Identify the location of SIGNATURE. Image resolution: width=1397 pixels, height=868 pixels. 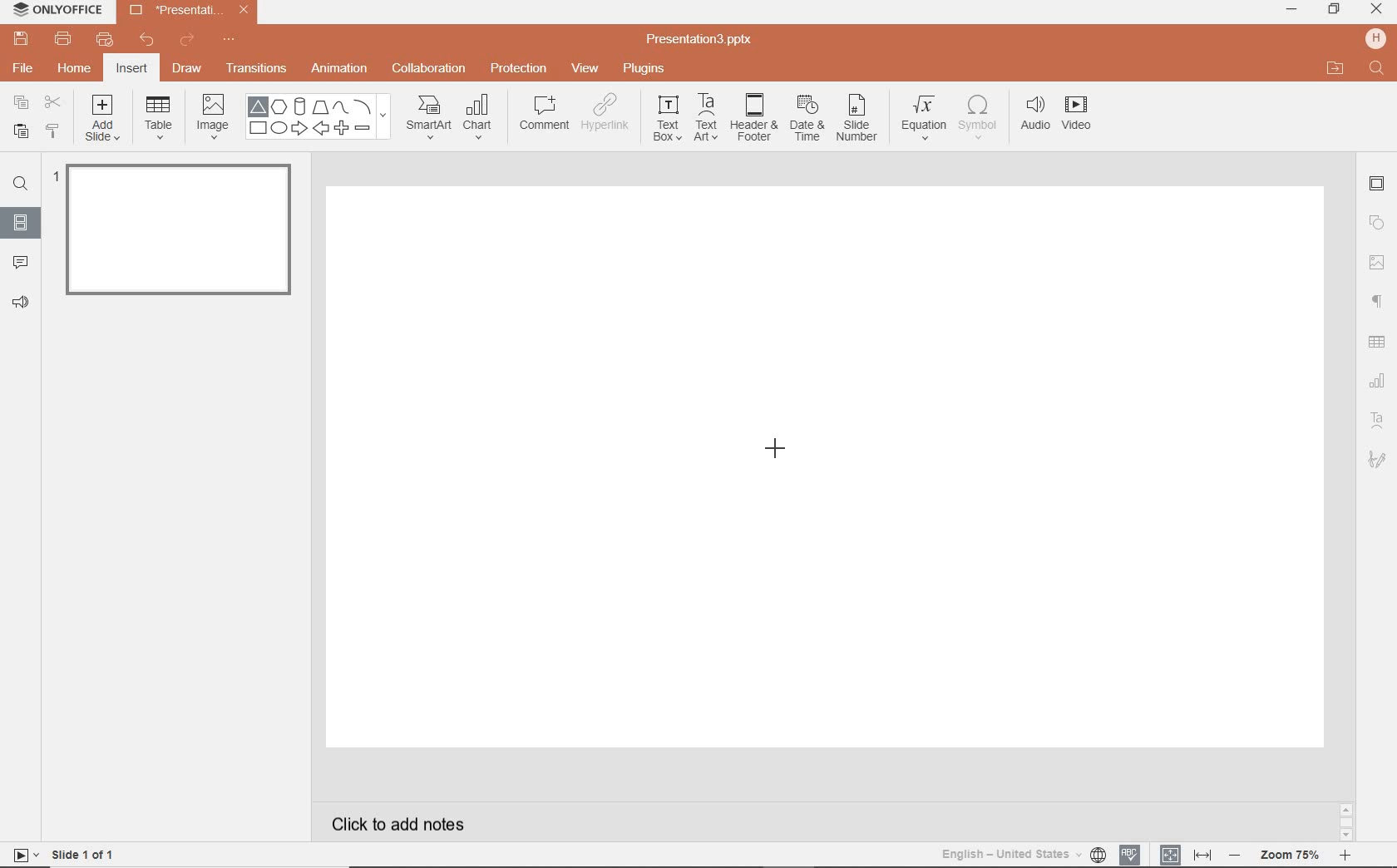
(1380, 458).